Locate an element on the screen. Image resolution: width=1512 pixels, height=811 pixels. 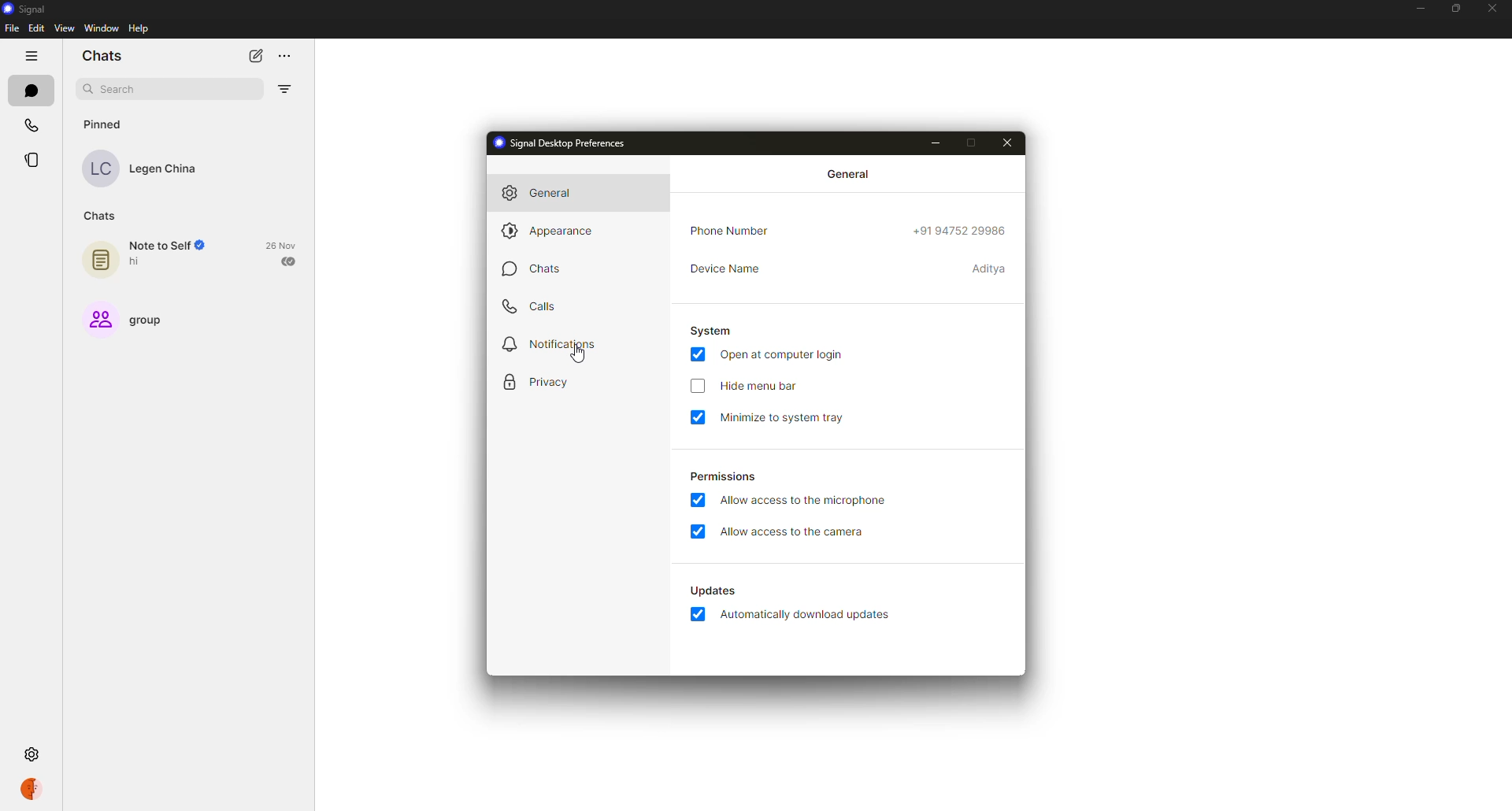
edit is located at coordinates (35, 28).